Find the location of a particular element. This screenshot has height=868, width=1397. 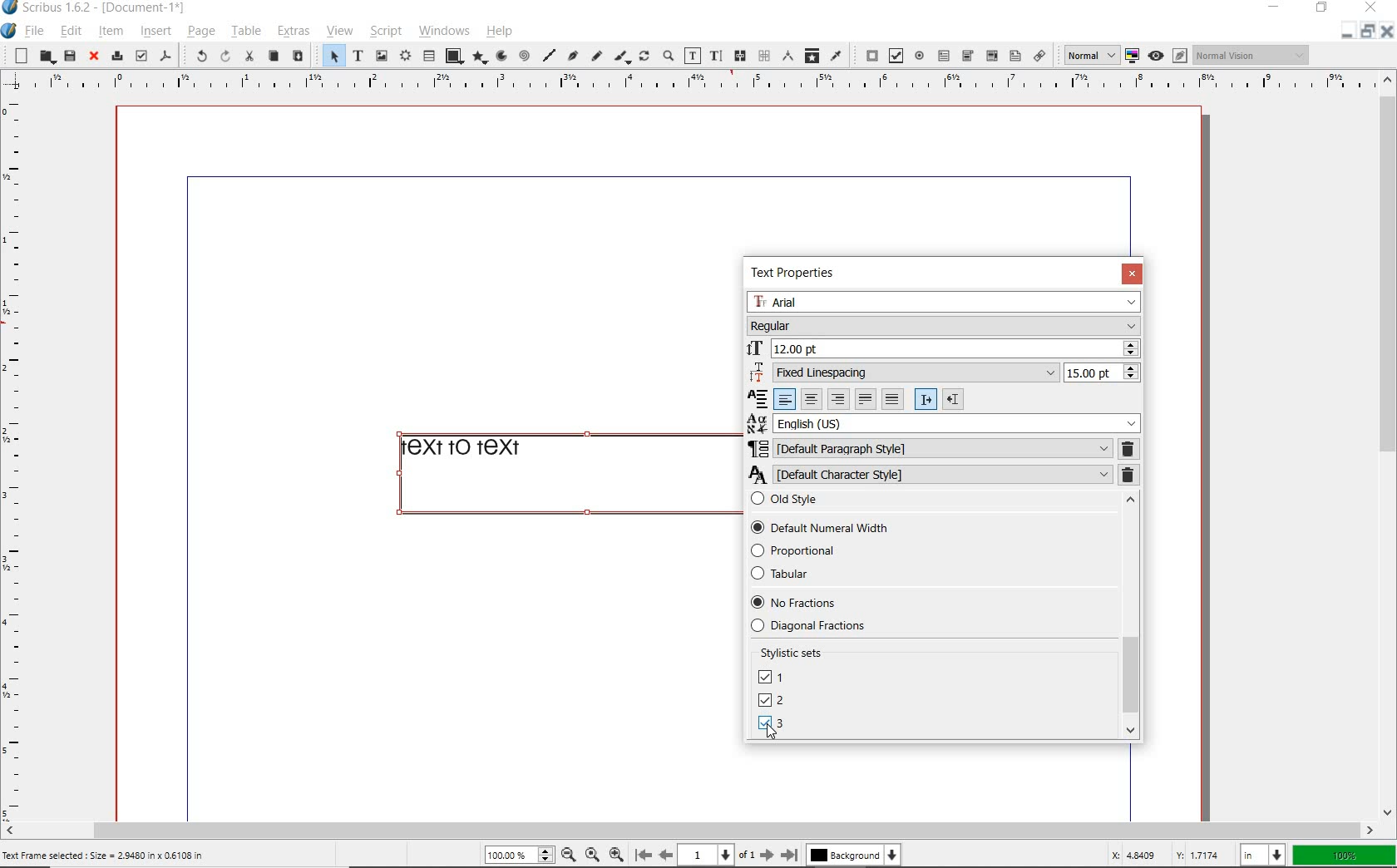

Text justified is located at coordinates (866, 398).